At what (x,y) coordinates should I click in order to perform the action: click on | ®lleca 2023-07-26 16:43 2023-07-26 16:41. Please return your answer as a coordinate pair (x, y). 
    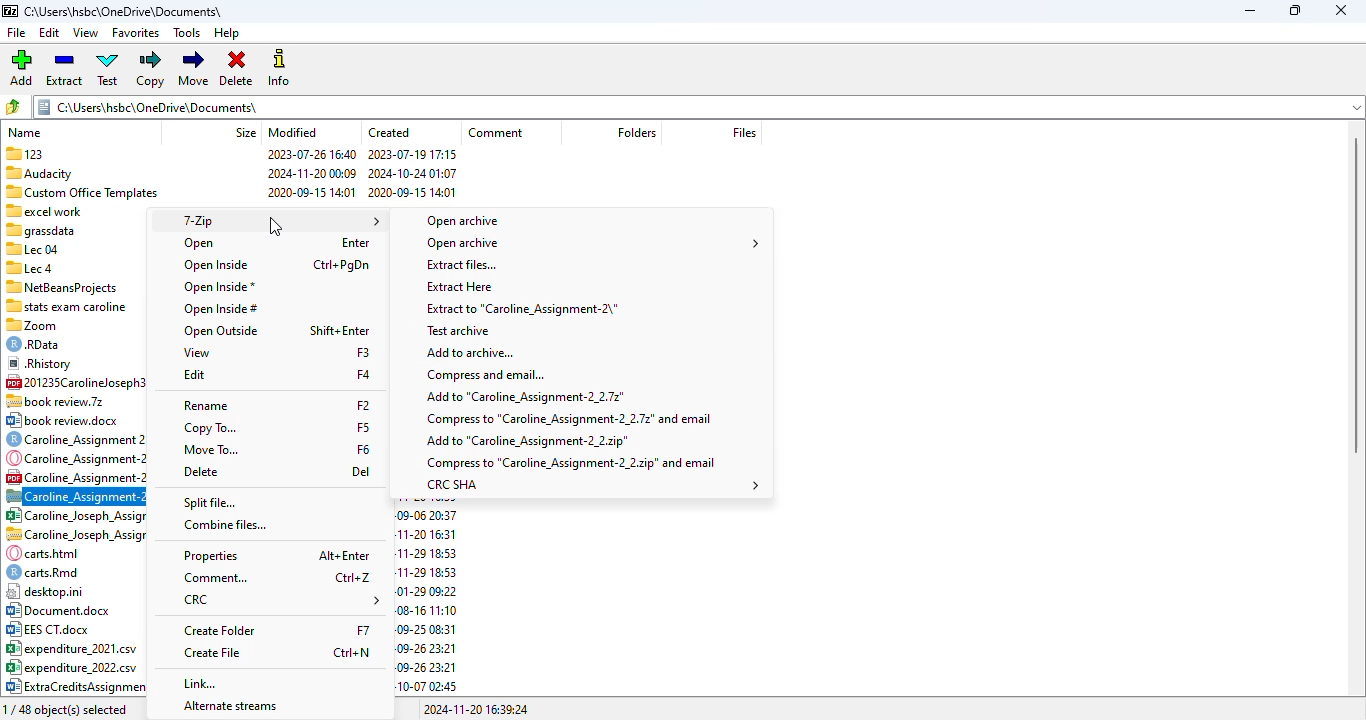
    Looking at the image, I should click on (72, 267).